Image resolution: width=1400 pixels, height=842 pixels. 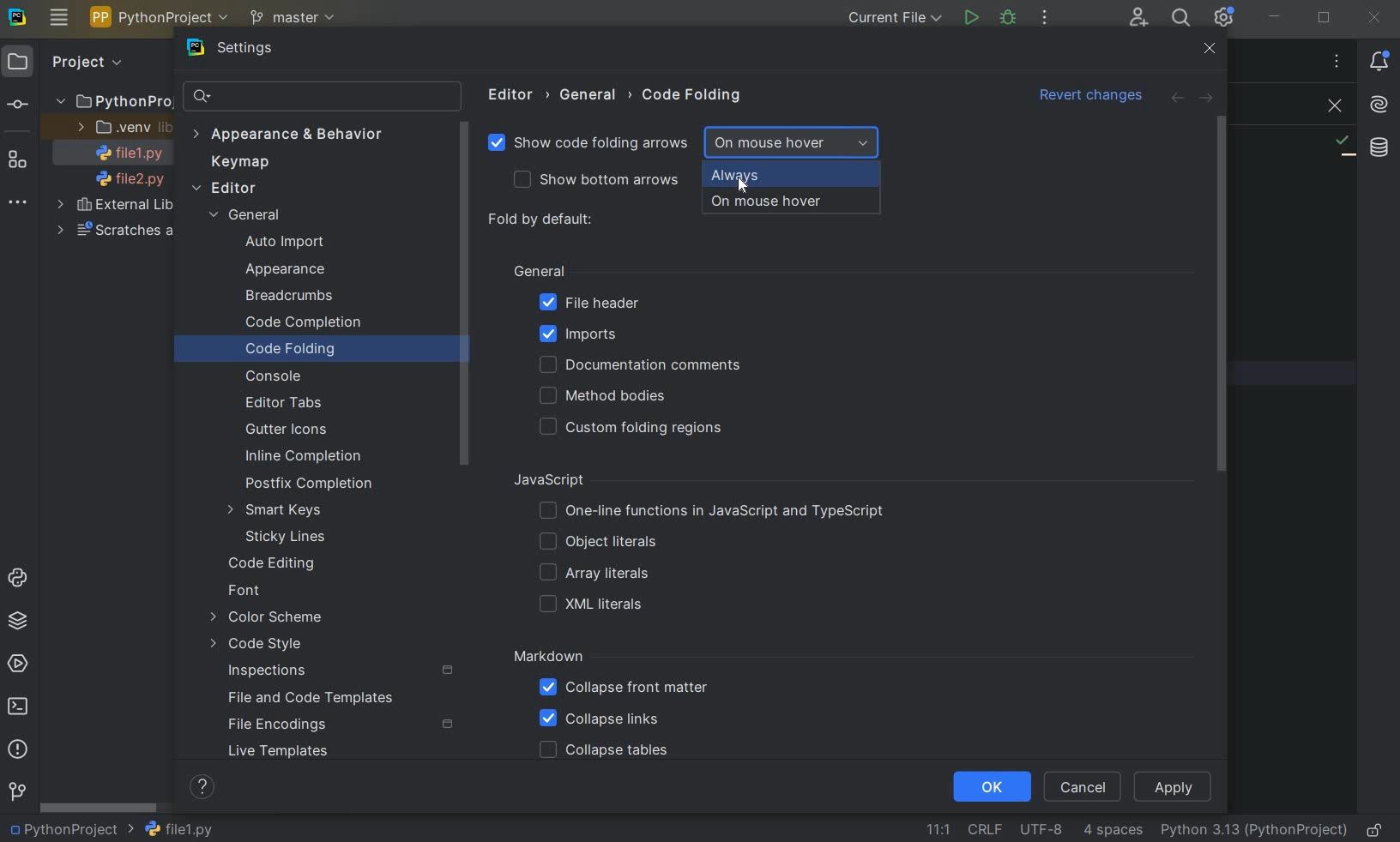 I want to click on MAIN MENU, so click(x=59, y=18).